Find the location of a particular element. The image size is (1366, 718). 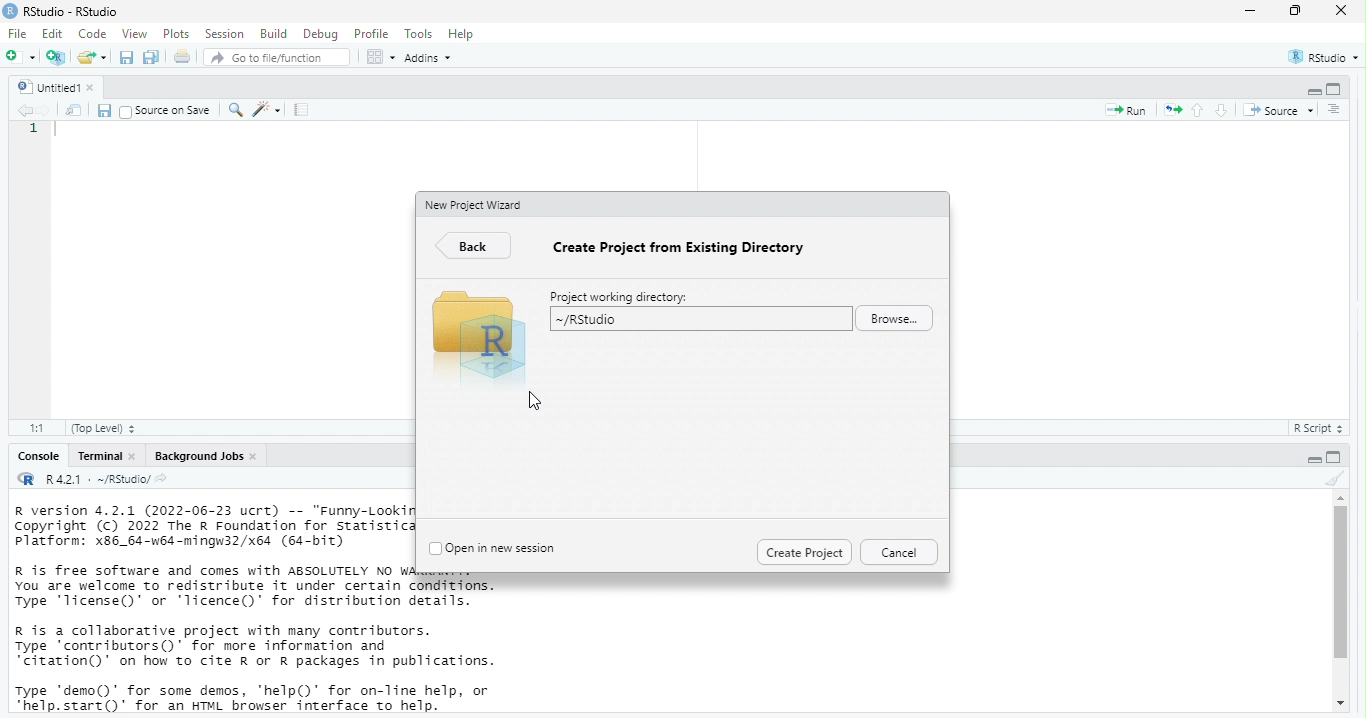

RStudio - RStudio is located at coordinates (75, 11).